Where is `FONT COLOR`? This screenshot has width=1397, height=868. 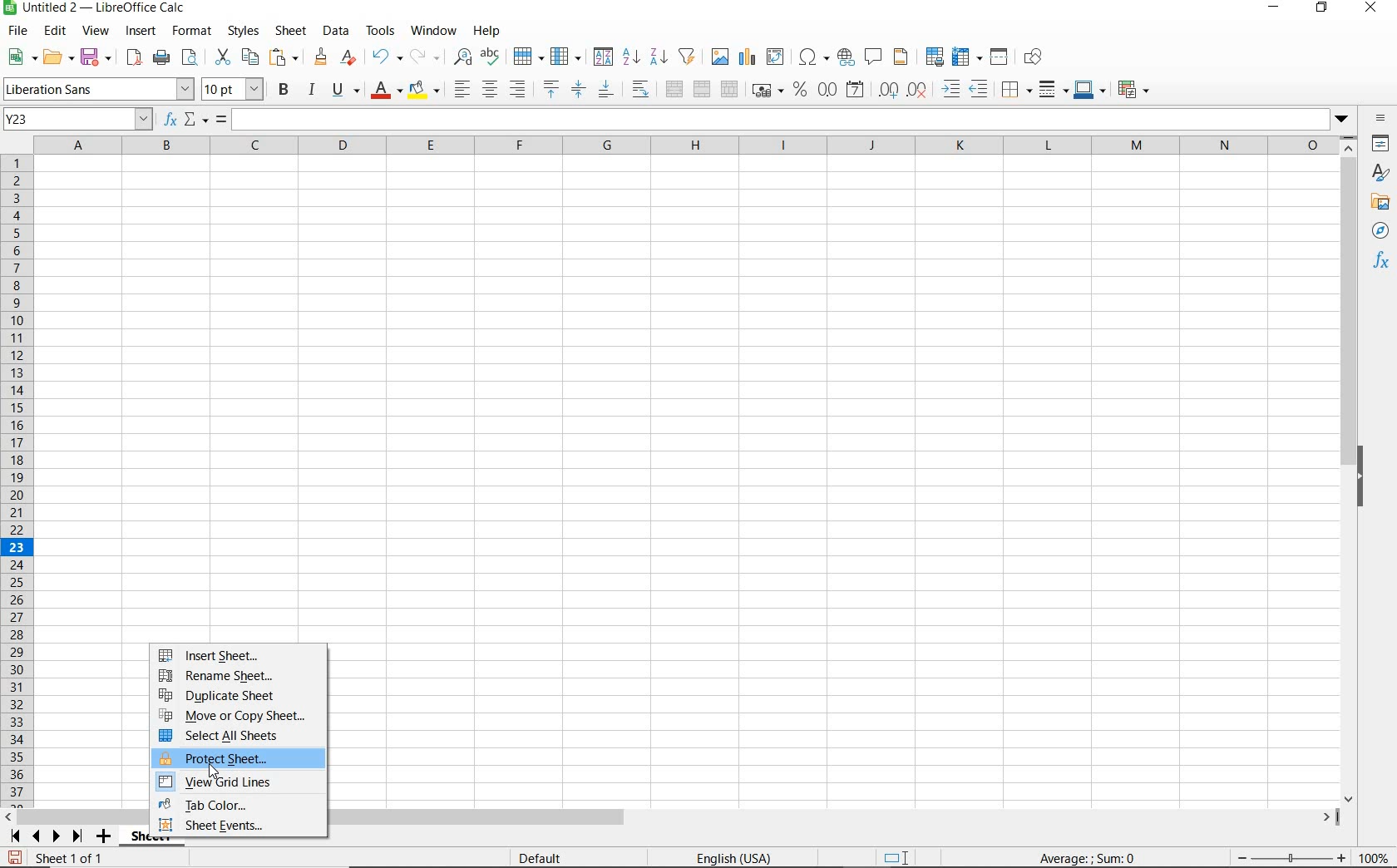
FONT COLOR is located at coordinates (386, 91).